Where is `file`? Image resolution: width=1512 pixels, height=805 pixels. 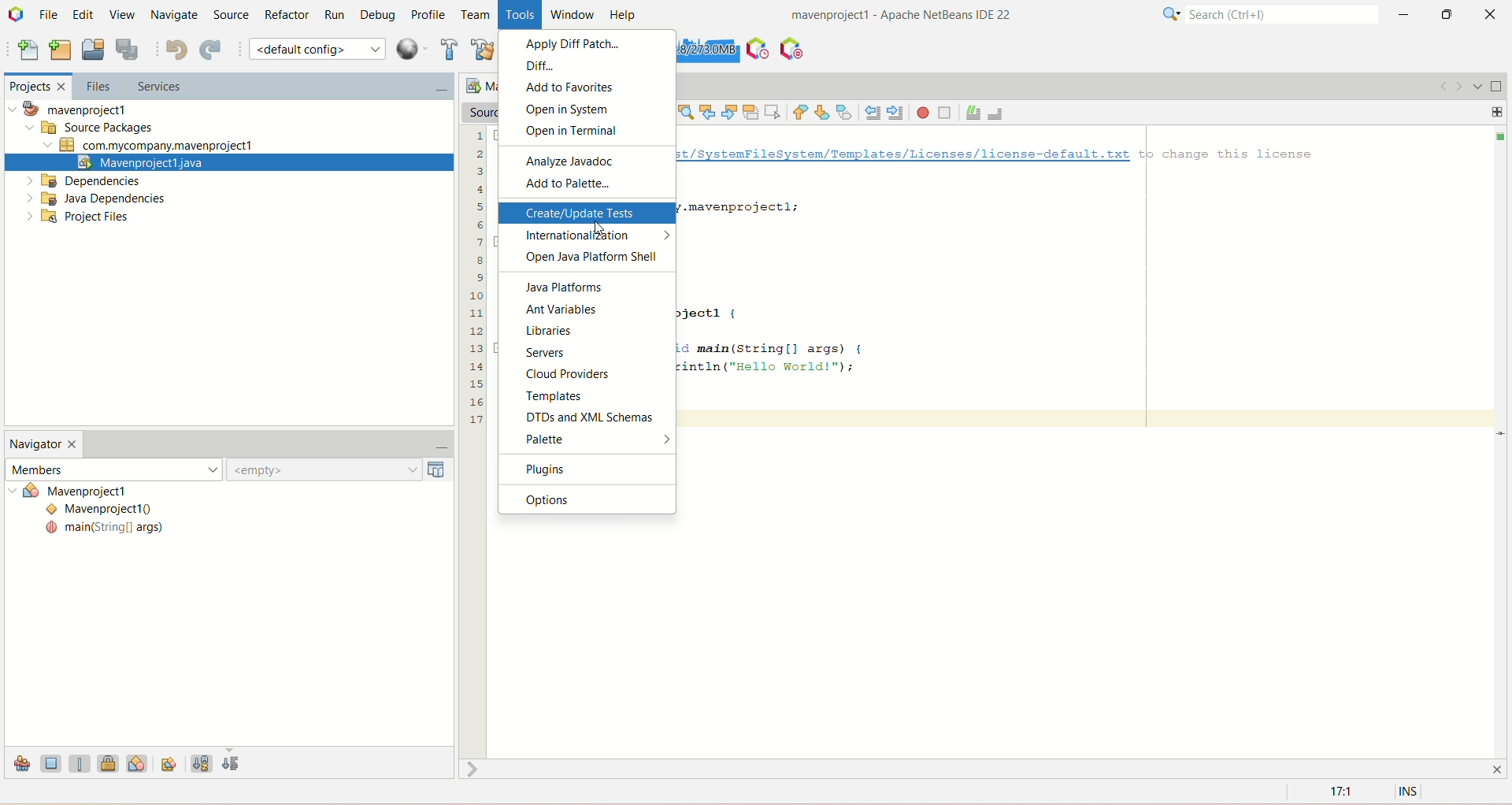 file is located at coordinates (51, 13).